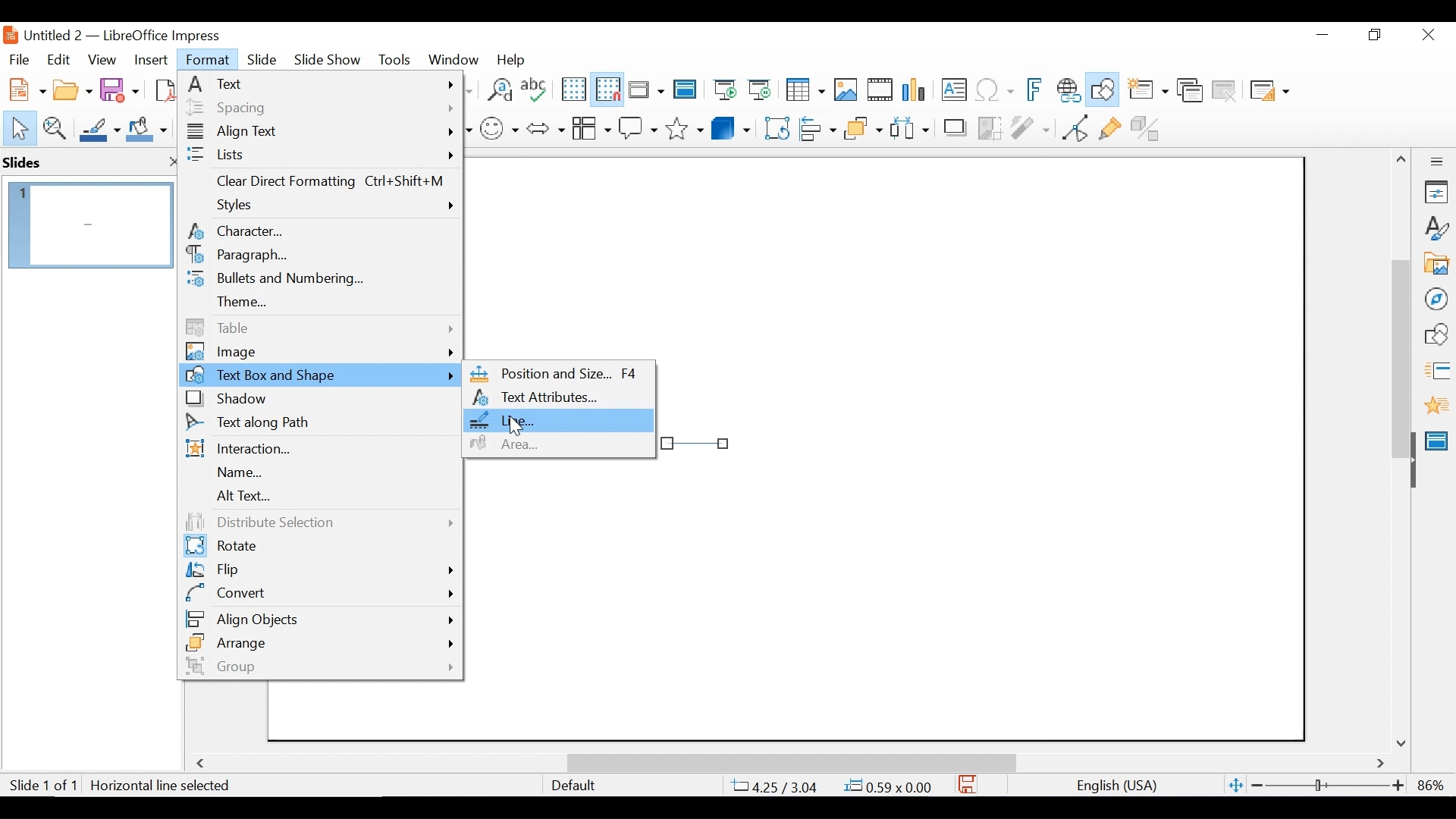  Describe the element at coordinates (1426, 36) in the screenshot. I see `Close` at that location.